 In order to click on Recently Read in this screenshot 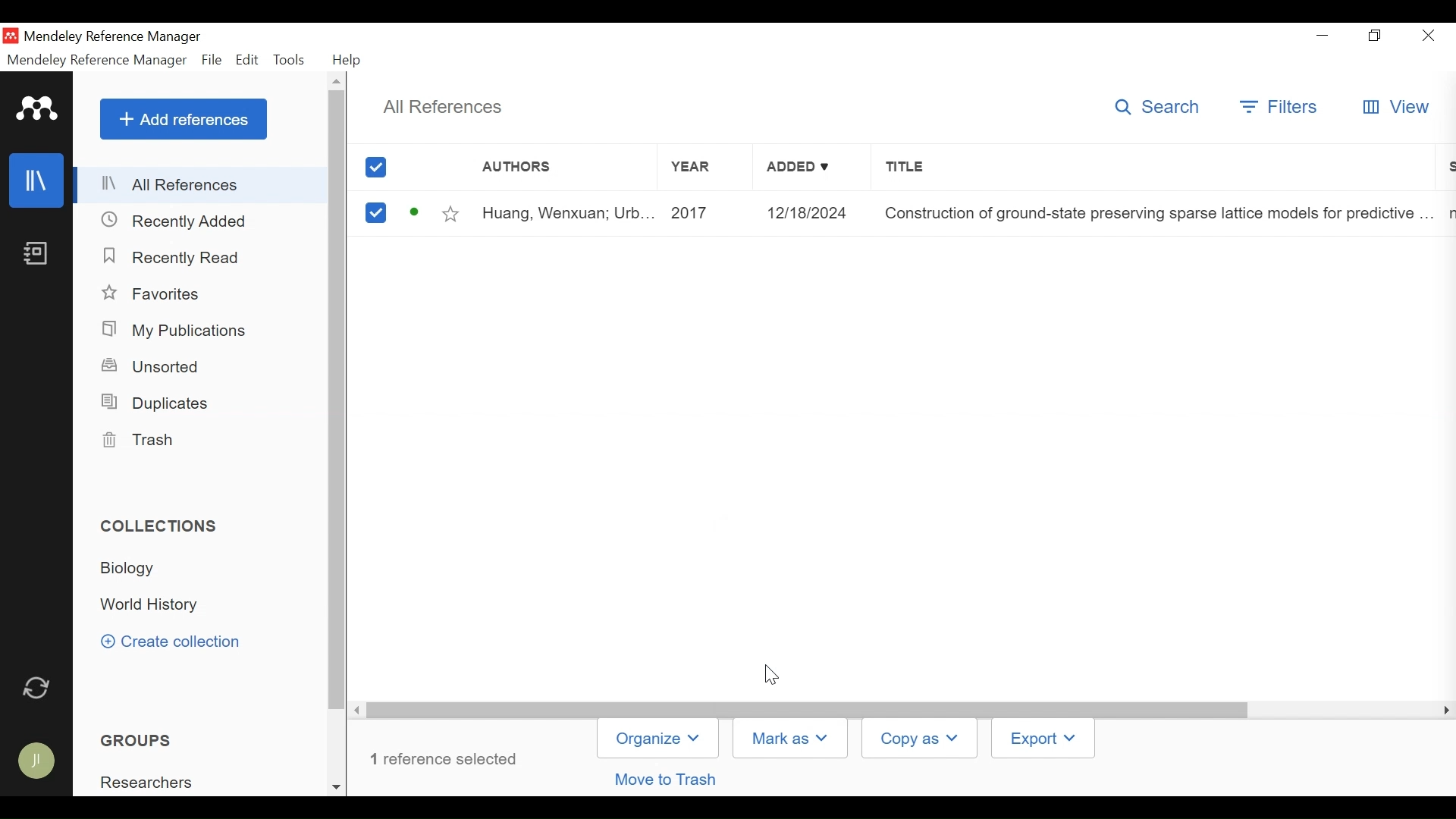, I will do `click(171, 257)`.